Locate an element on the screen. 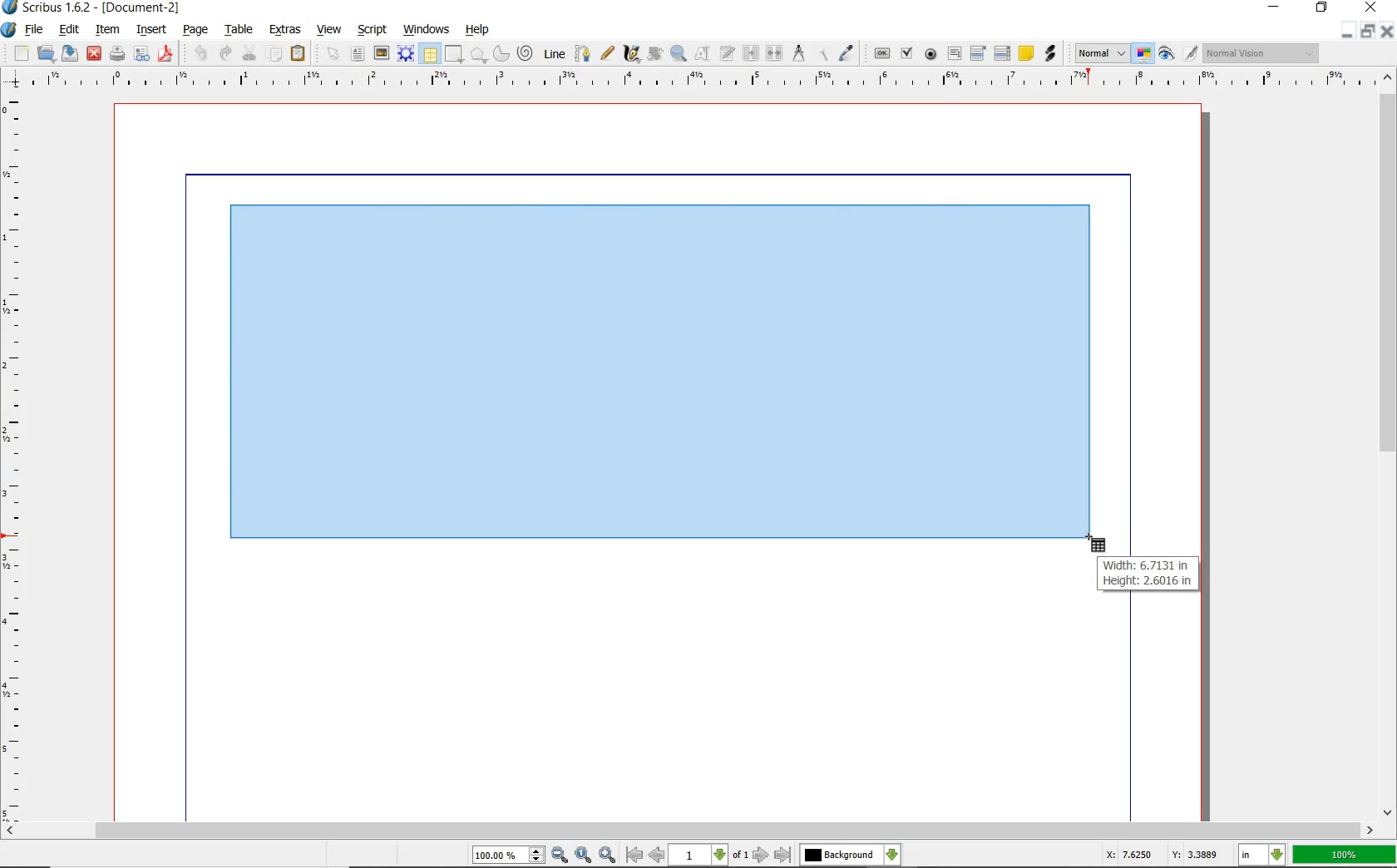 Image resolution: width=1397 pixels, height=868 pixels. scrollbar is located at coordinates (698, 832).